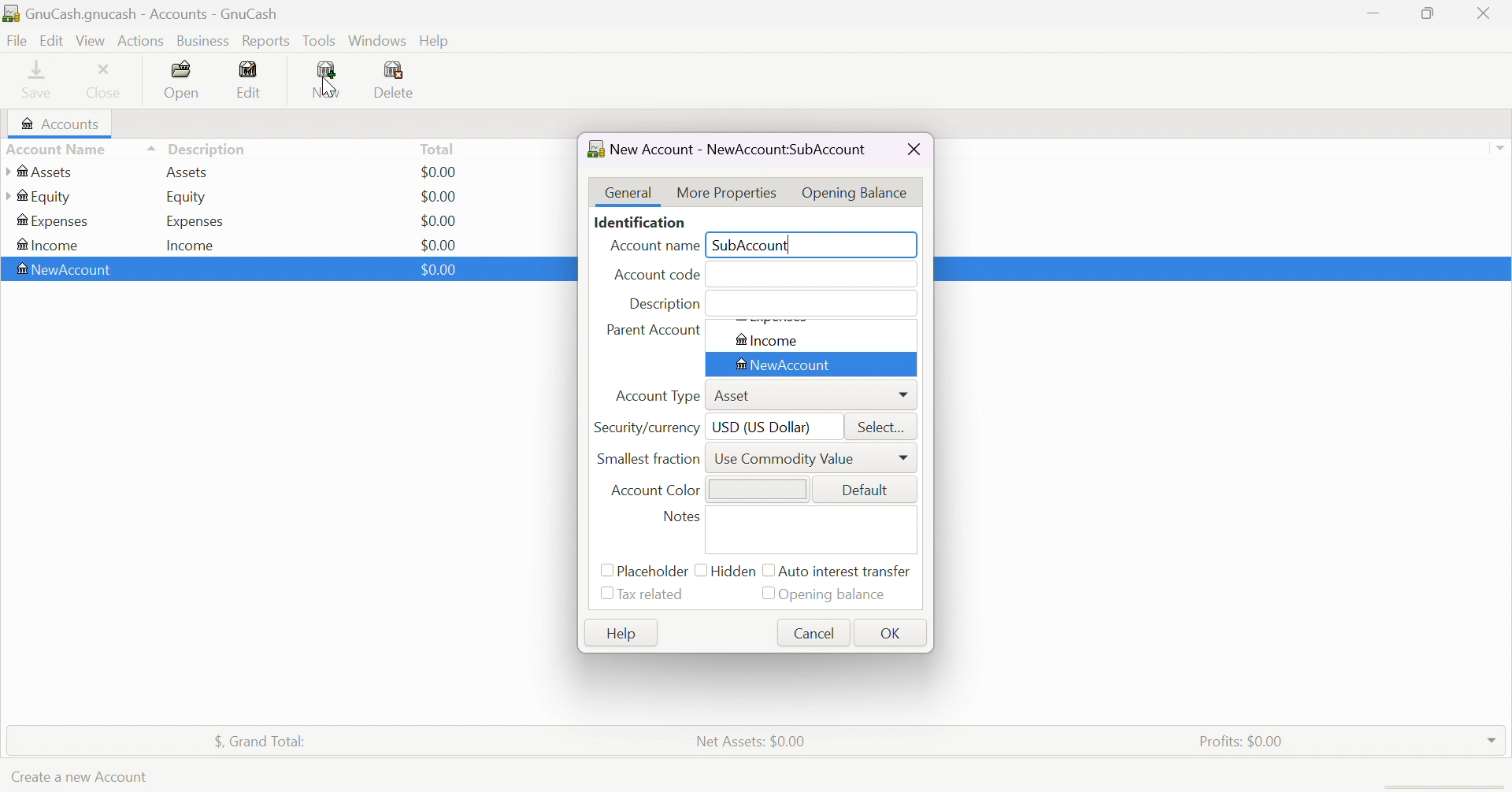 The width and height of the screenshot is (1512, 792). Describe the element at coordinates (191, 173) in the screenshot. I see `Assets` at that location.